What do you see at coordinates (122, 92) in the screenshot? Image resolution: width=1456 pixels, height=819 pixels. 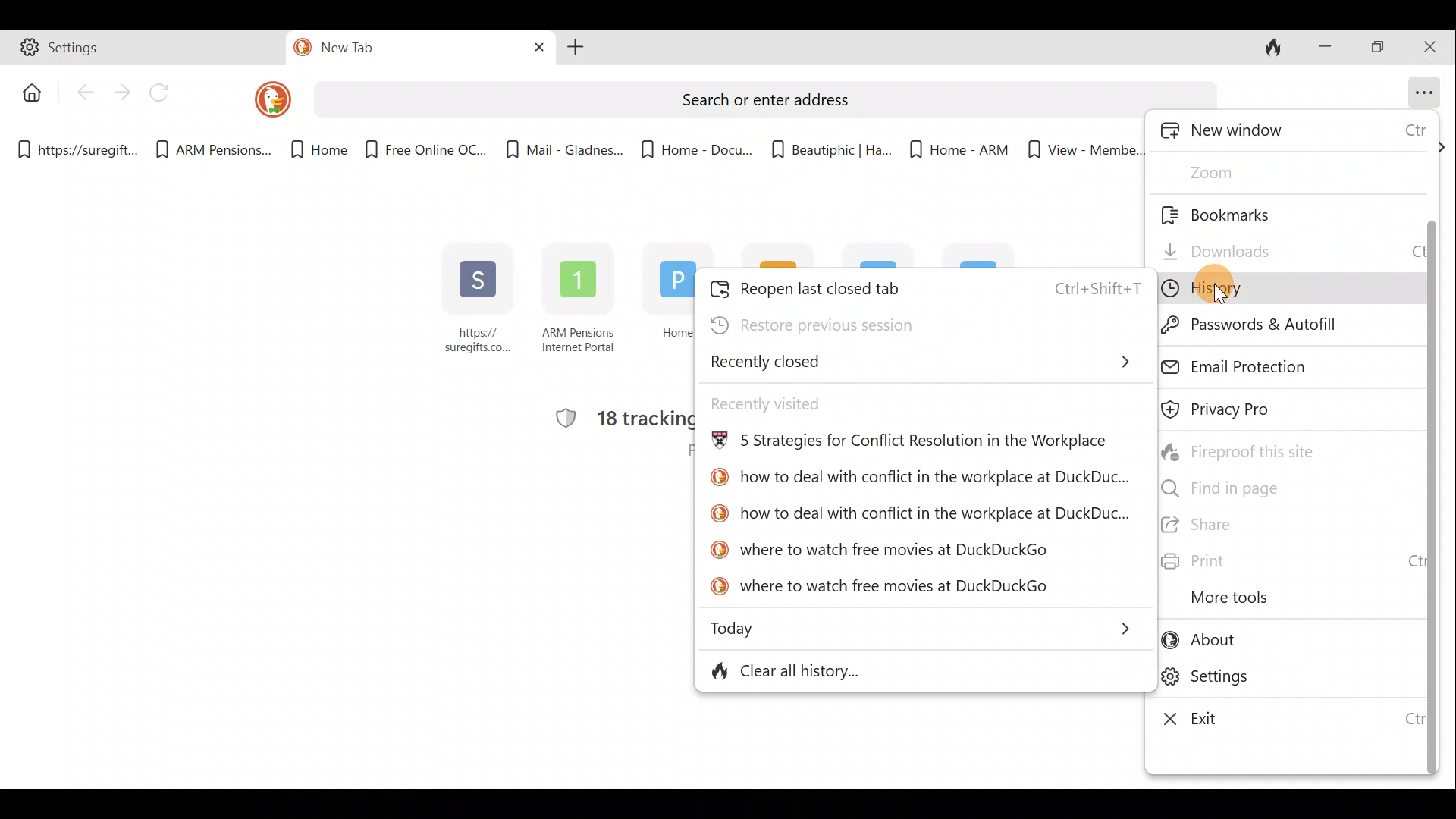 I see `Forward` at bounding box center [122, 92].